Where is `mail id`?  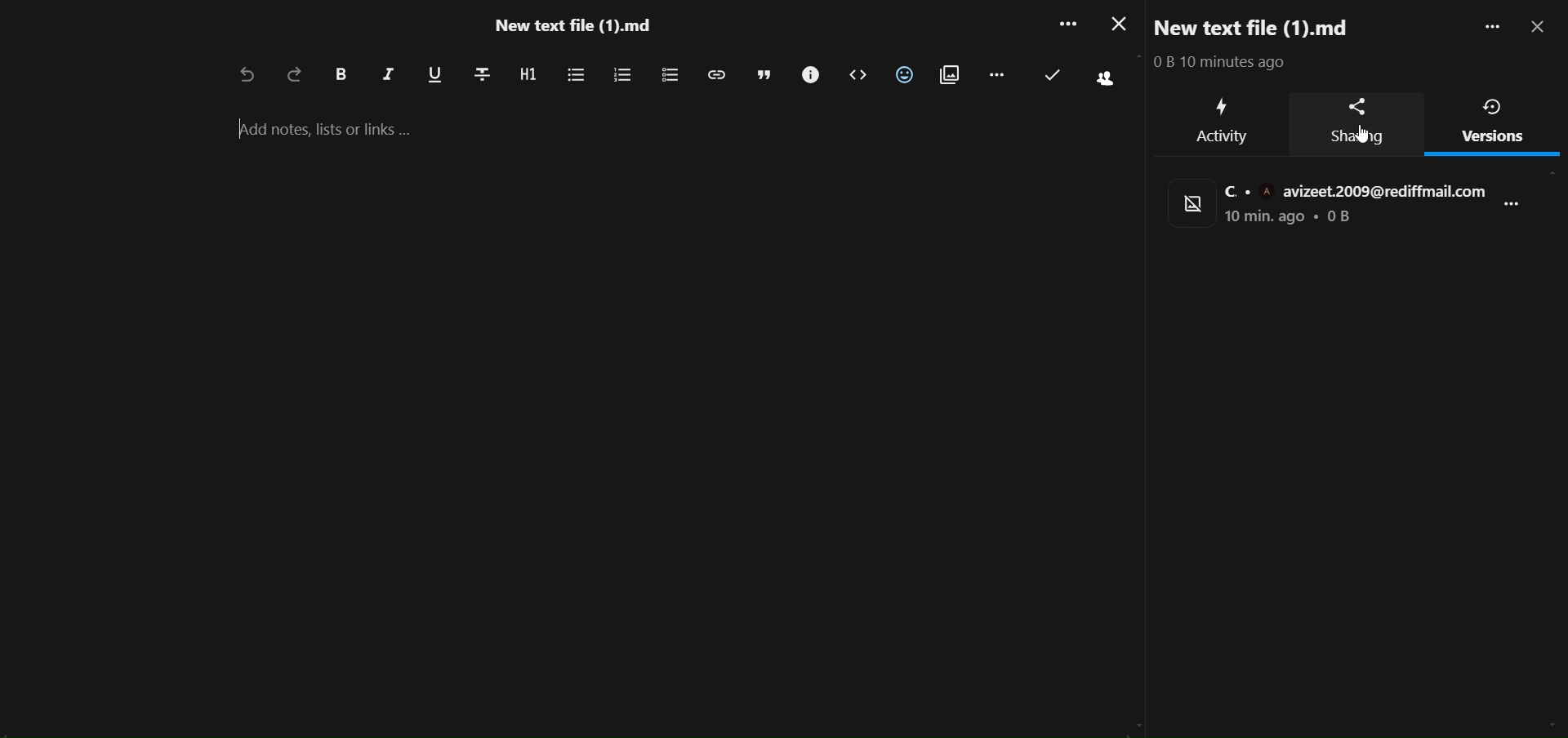 mail id is located at coordinates (1357, 192).